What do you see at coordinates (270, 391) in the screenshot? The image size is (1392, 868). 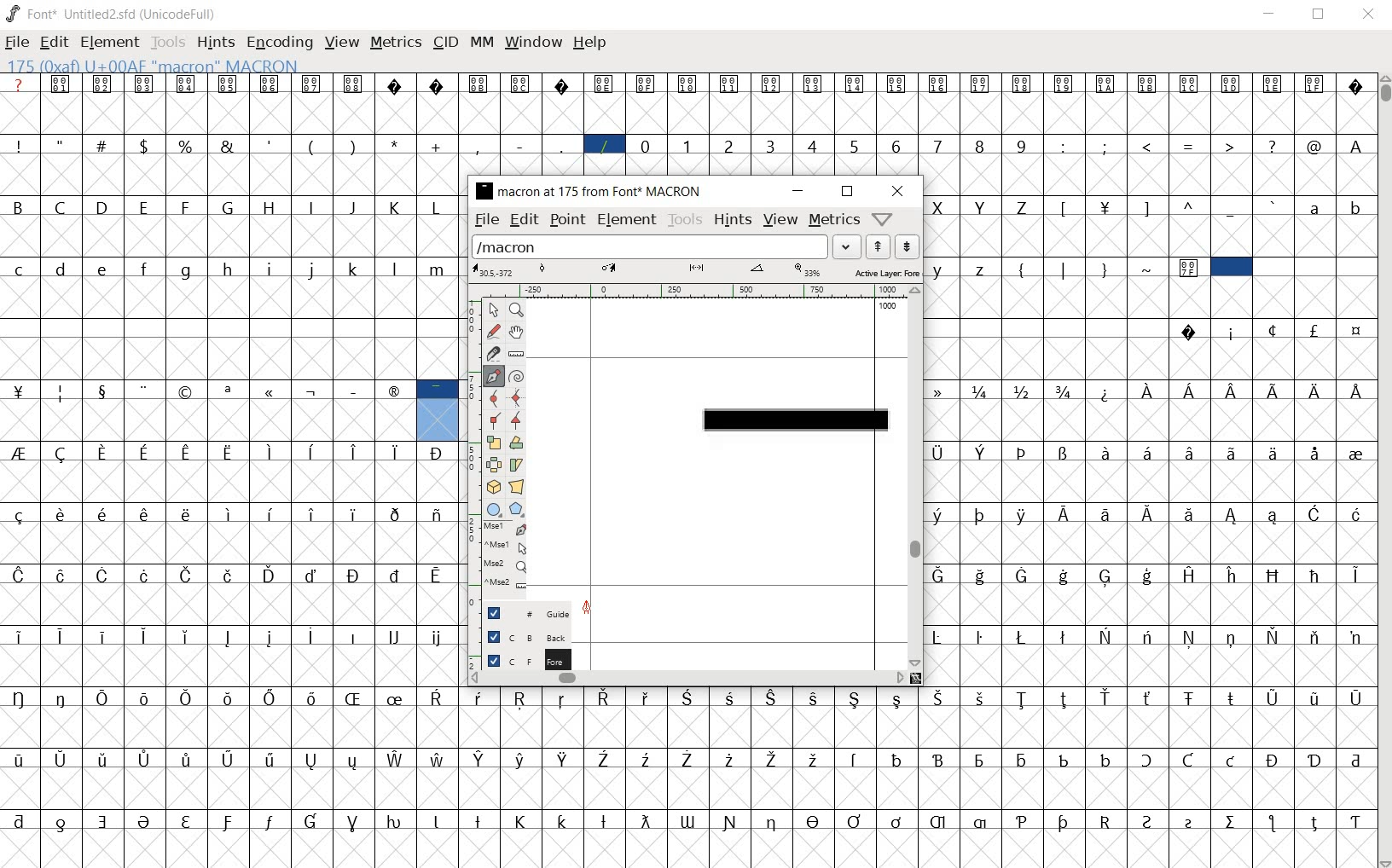 I see `Symbol` at bounding box center [270, 391].